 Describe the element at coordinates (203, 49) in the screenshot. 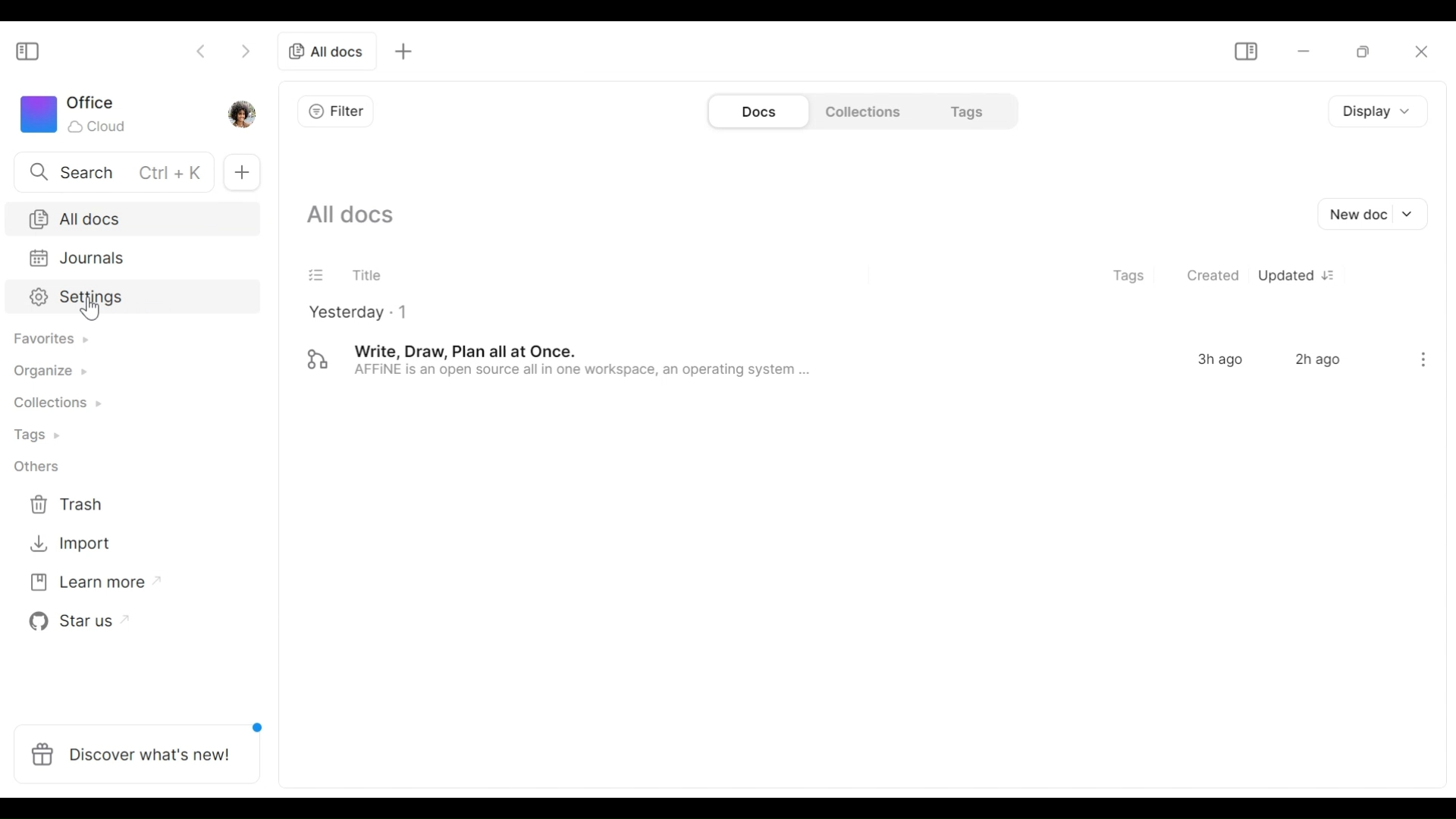

I see `Go back` at that location.